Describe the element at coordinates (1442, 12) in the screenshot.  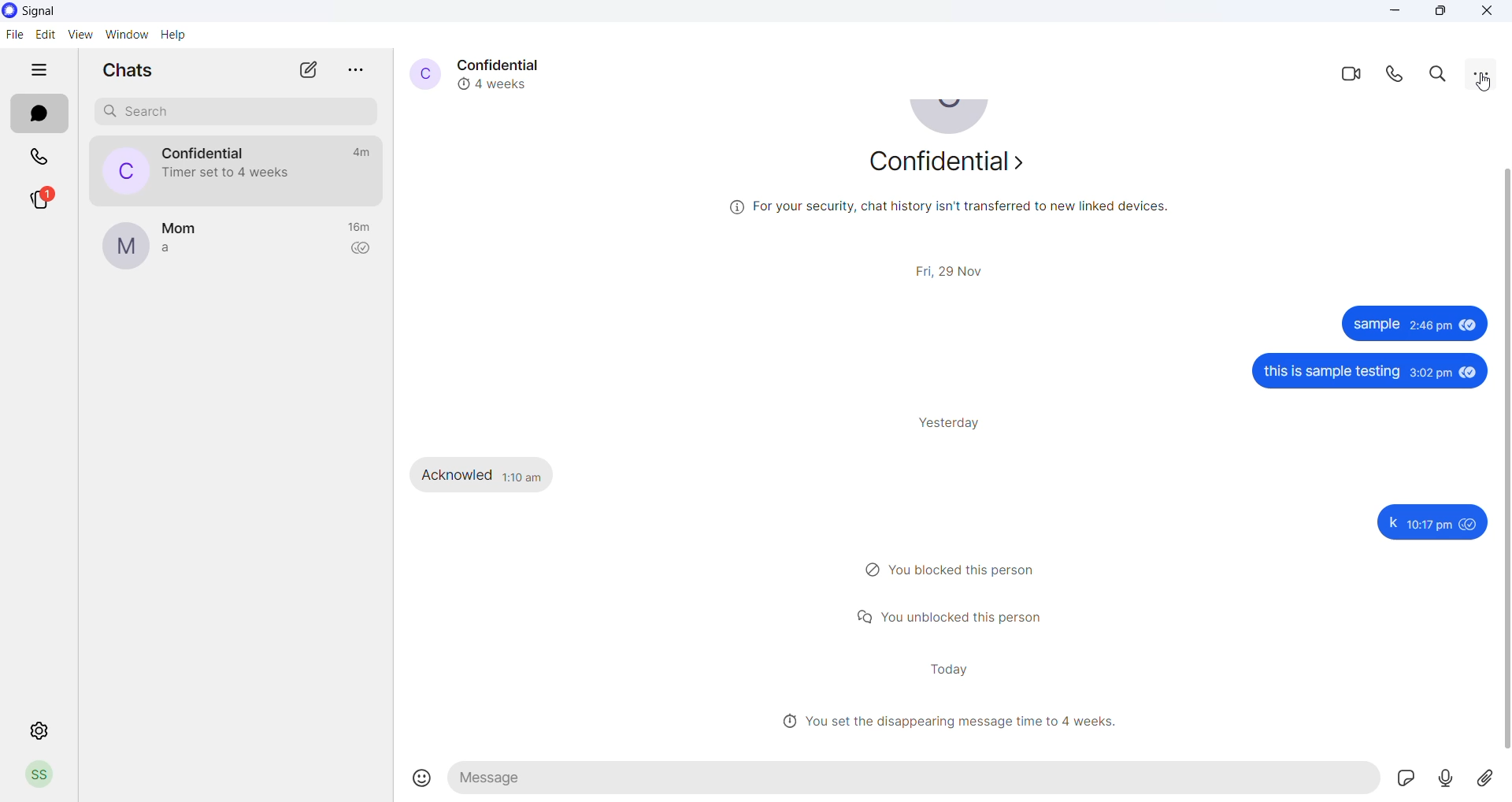
I see `maximize` at that location.